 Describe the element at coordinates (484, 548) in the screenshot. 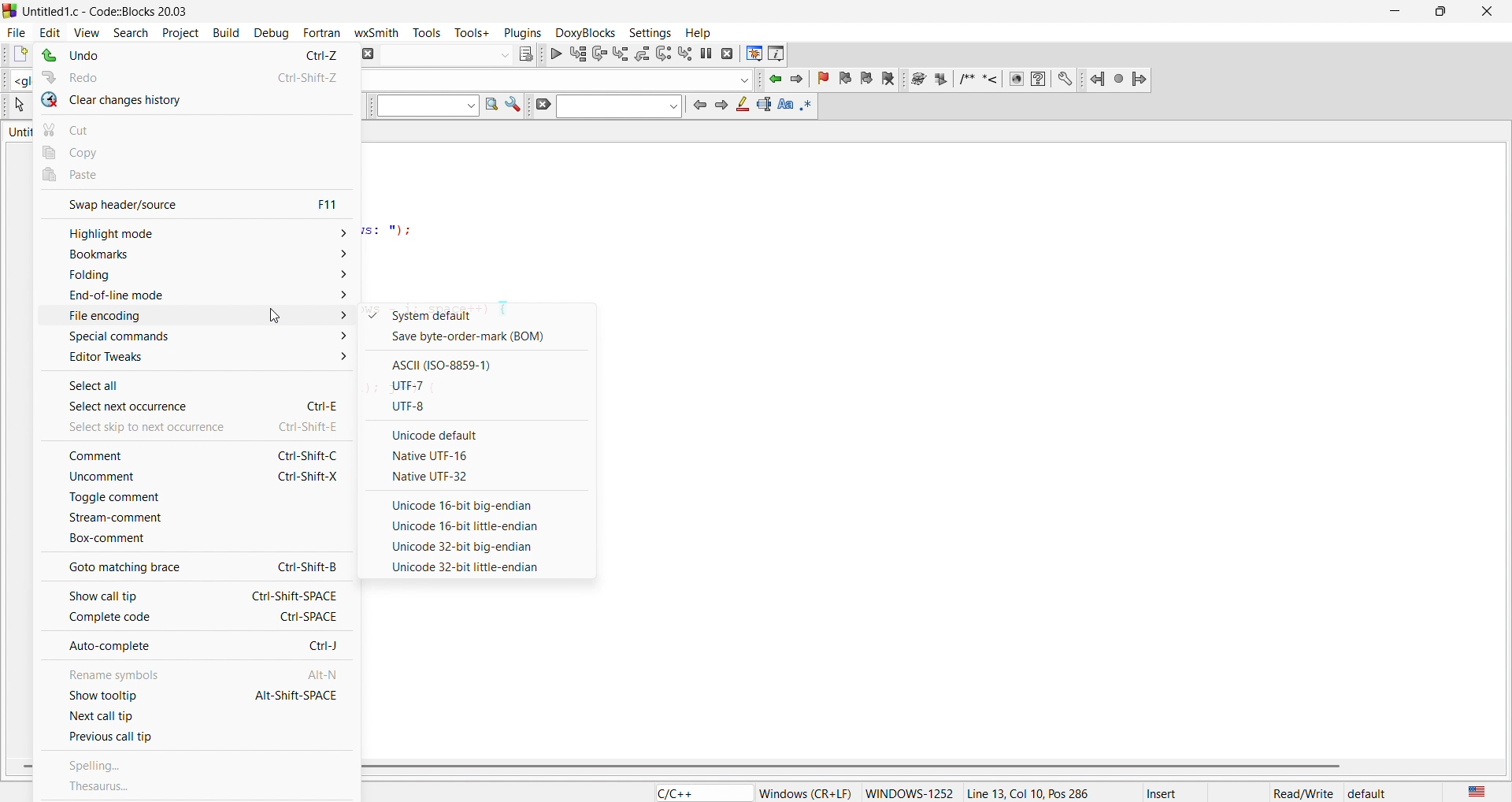

I see `option` at that location.